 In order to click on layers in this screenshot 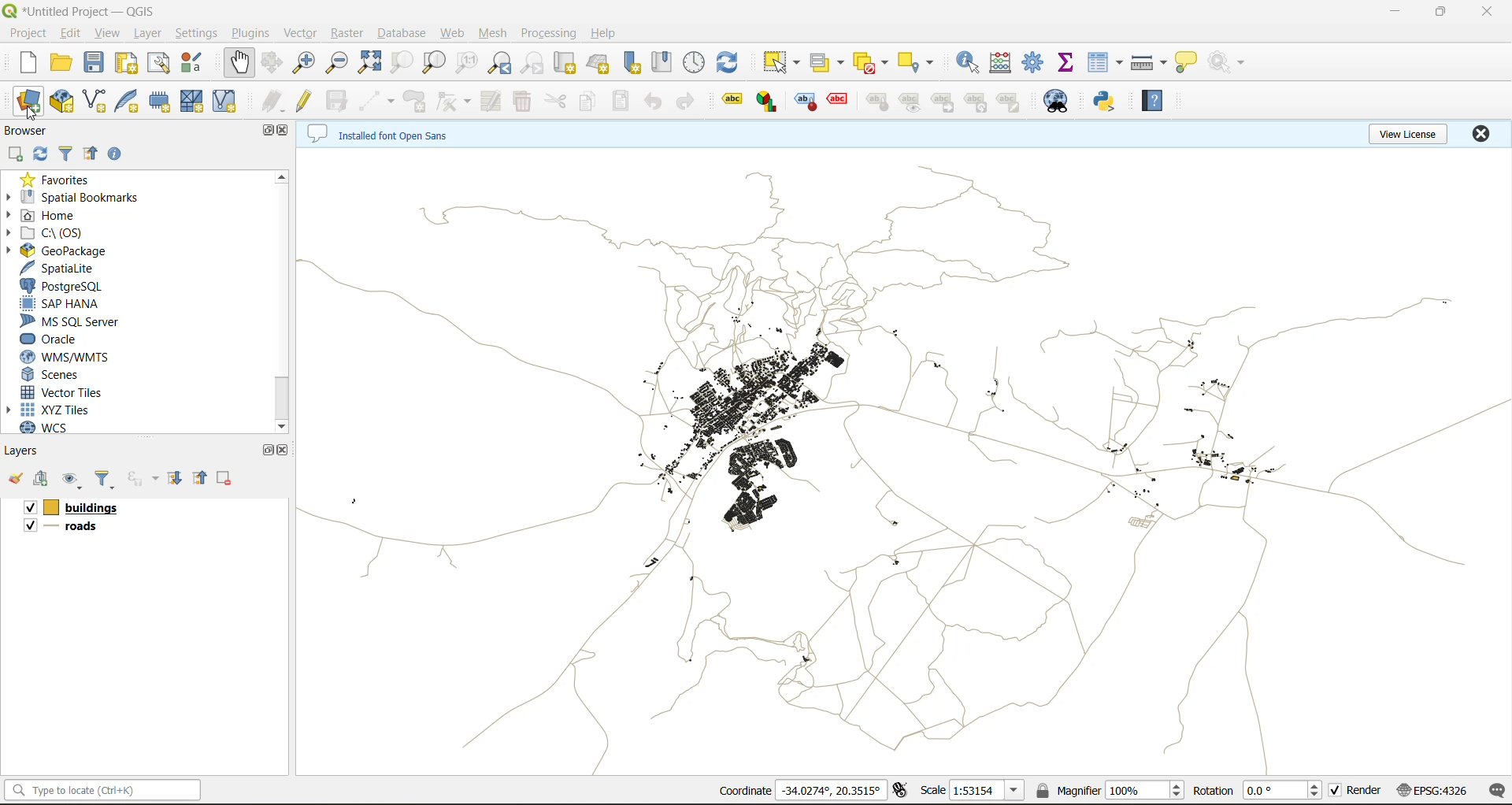, I will do `click(23, 450)`.